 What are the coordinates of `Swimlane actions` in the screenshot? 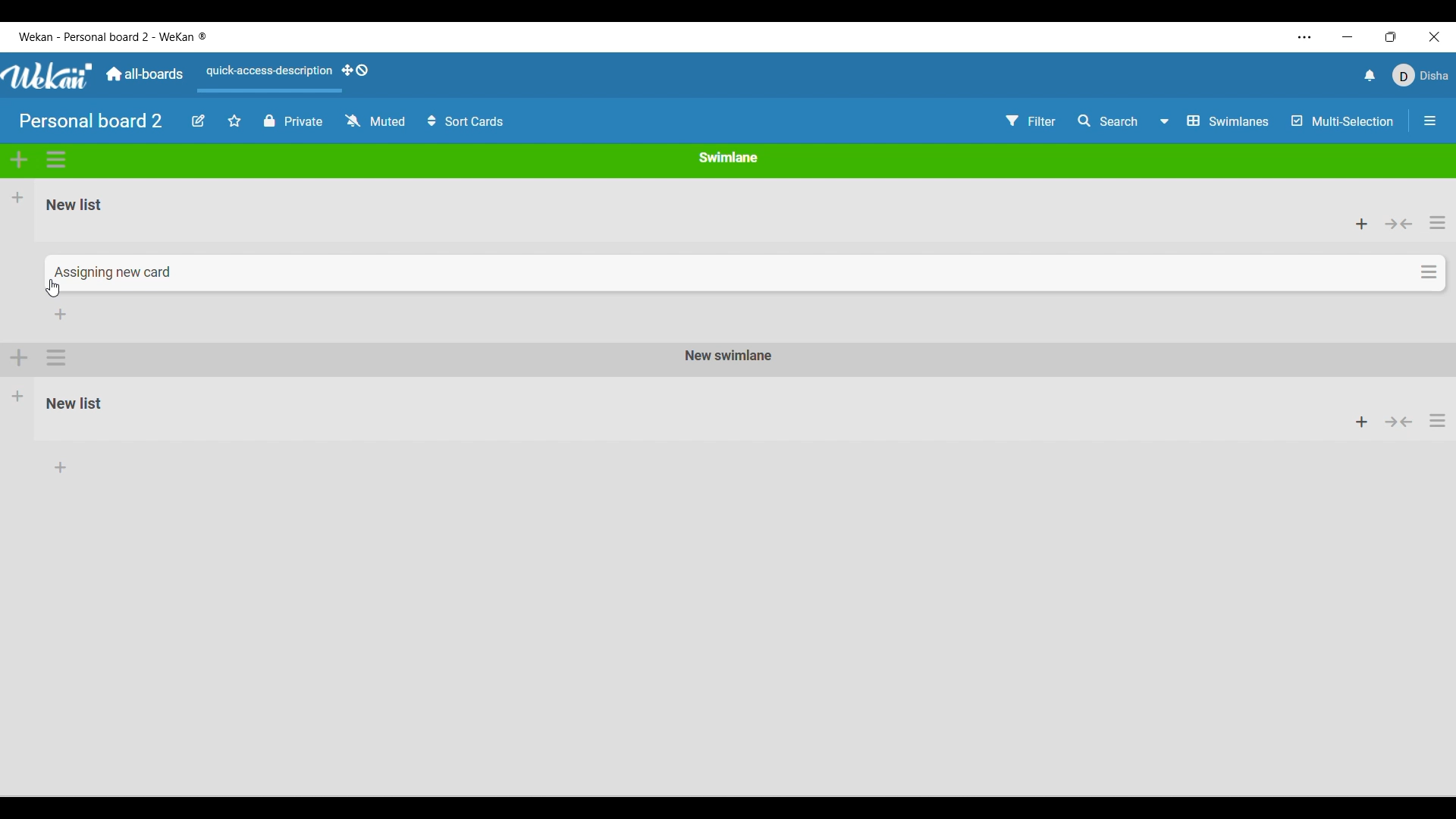 It's located at (56, 160).